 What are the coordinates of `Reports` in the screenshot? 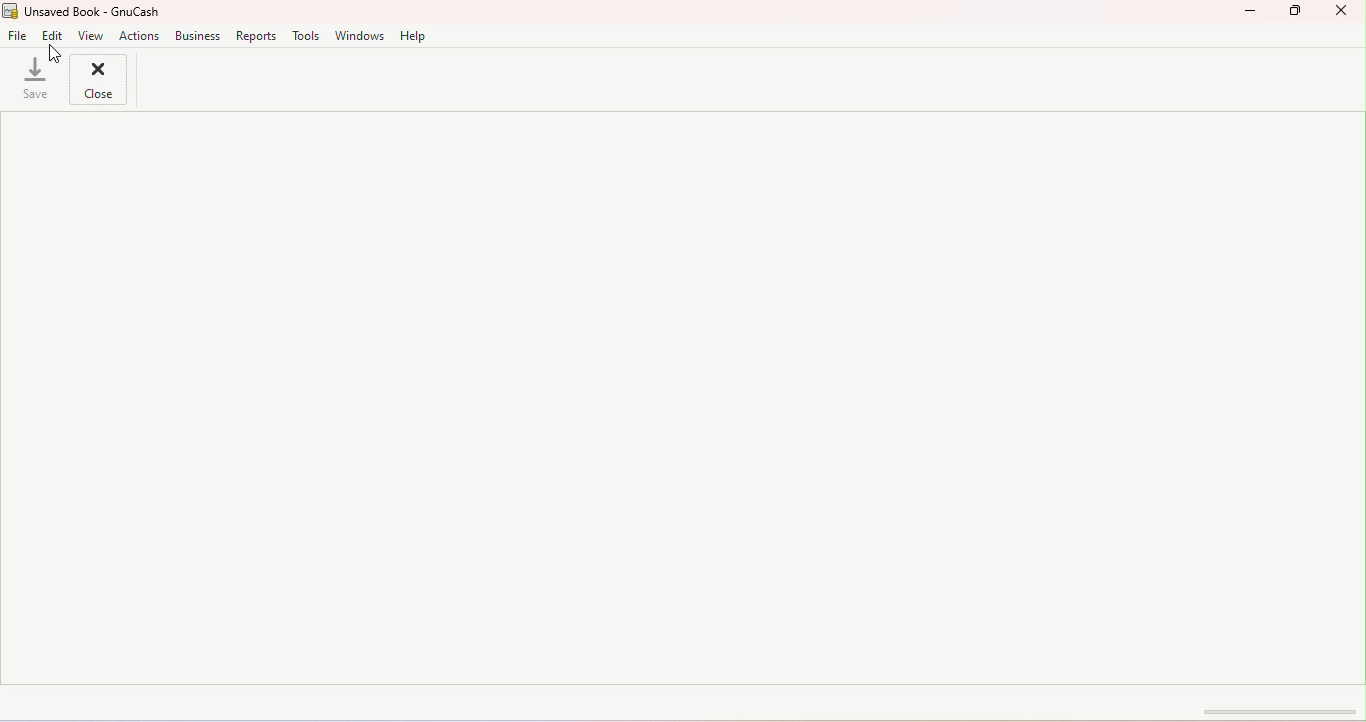 It's located at (255, 37).